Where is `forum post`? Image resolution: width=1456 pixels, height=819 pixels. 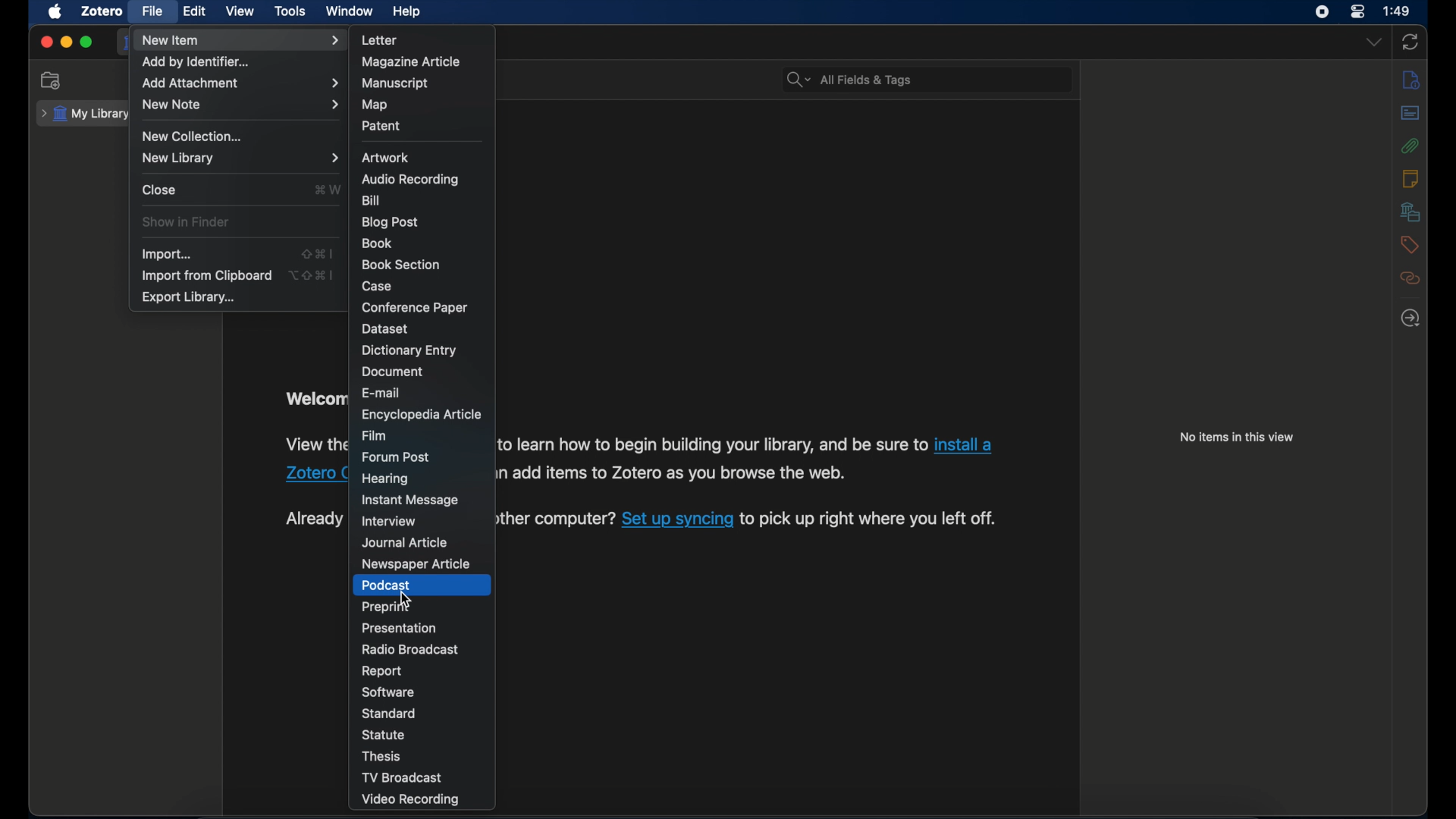 forum post is located at coordinates (396, 457).